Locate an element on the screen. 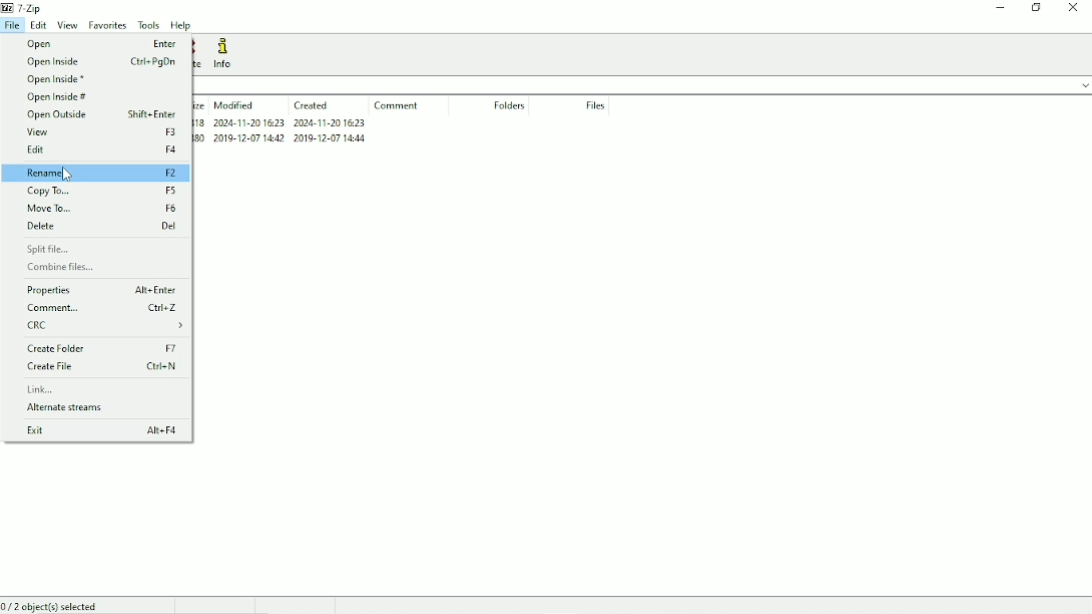  Open Outside is located at coordinates (105, 115).